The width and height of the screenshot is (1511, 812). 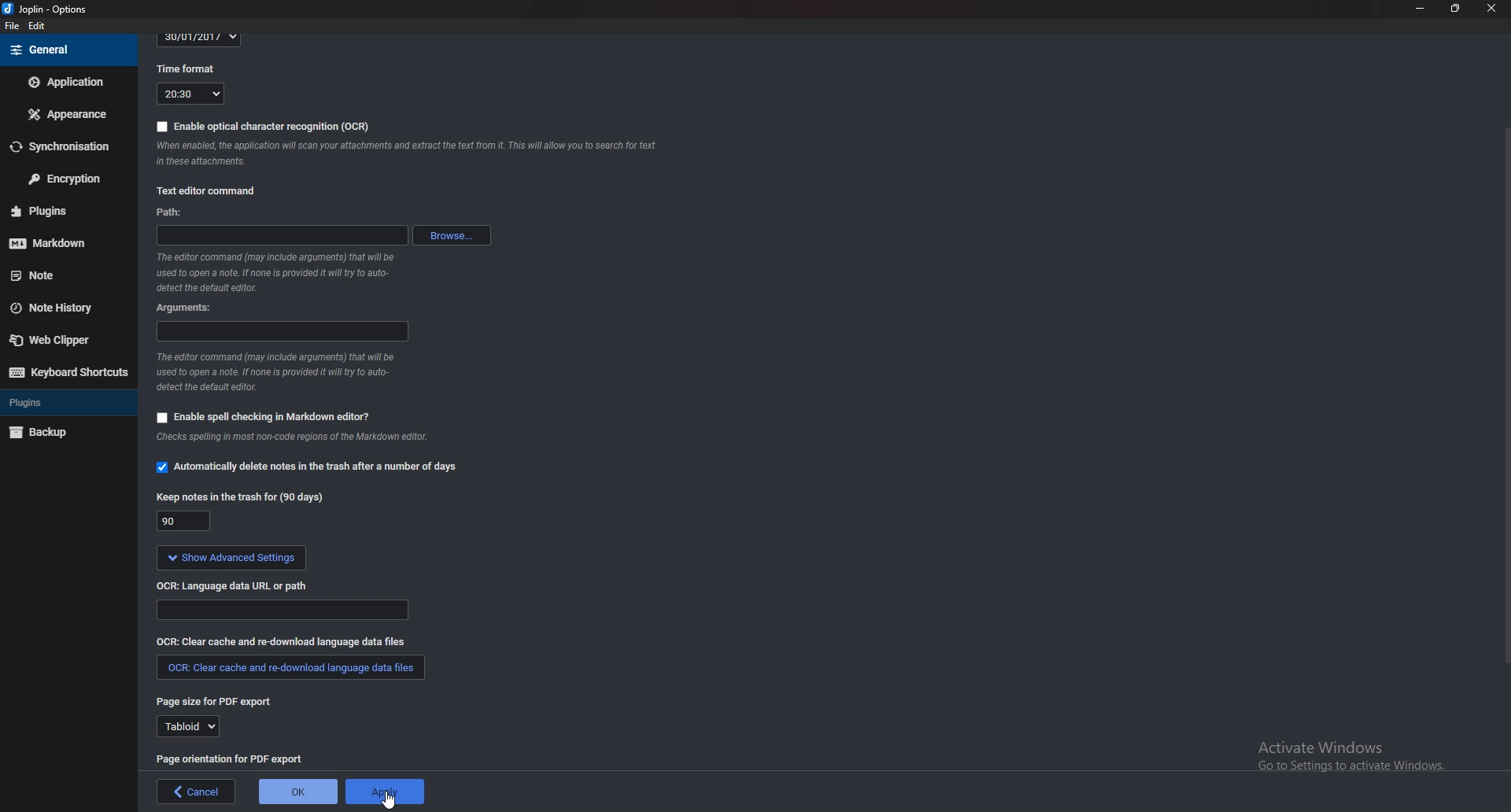 What do you see at coordinates (244, 497) in the screenshot?
I see `Keep notes in the trash for` at bounding box center [244, 497].